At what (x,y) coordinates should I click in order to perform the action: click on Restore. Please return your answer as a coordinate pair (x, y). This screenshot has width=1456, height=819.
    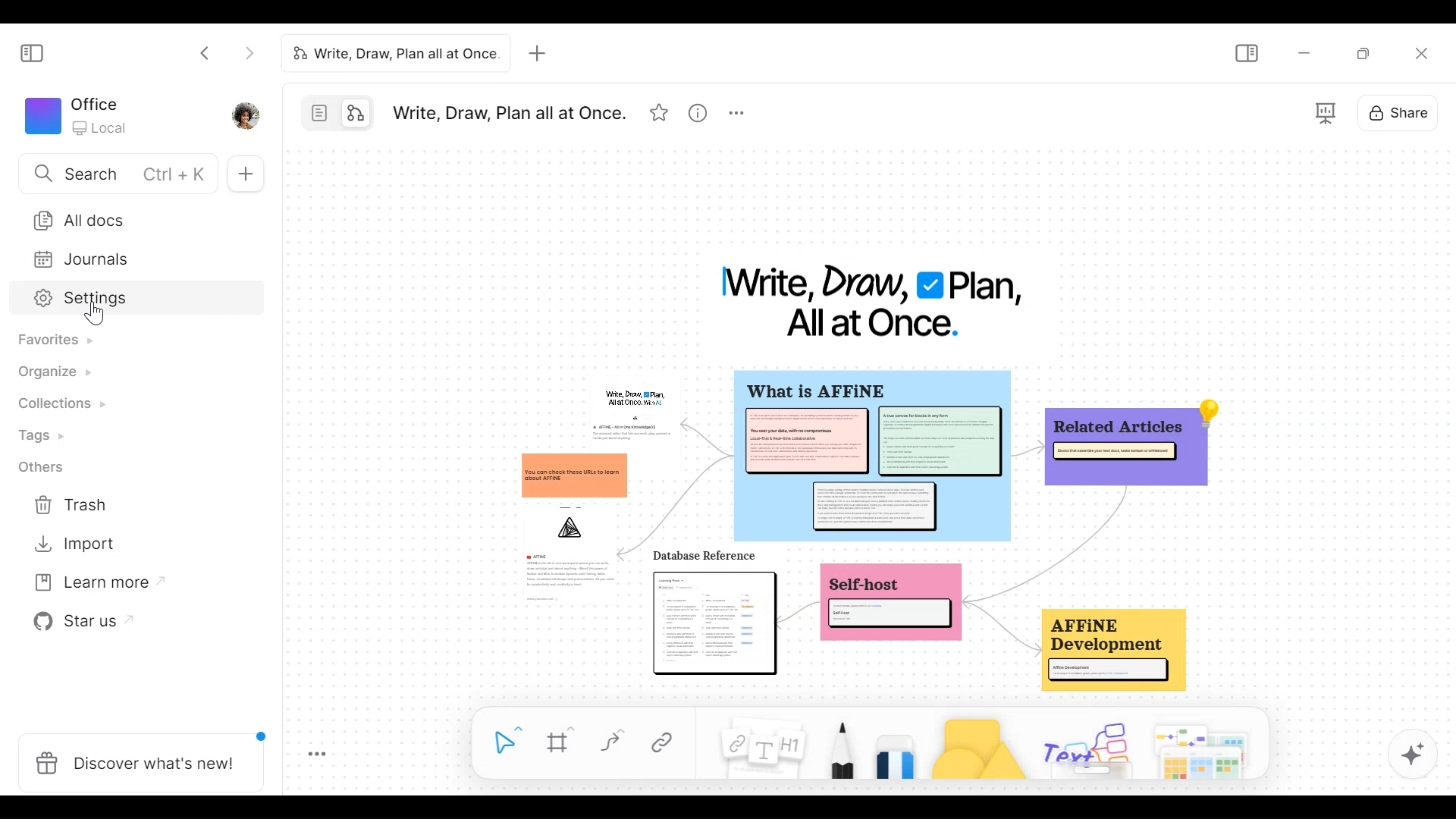
    Looking at the image, I should click on (1364, 51).